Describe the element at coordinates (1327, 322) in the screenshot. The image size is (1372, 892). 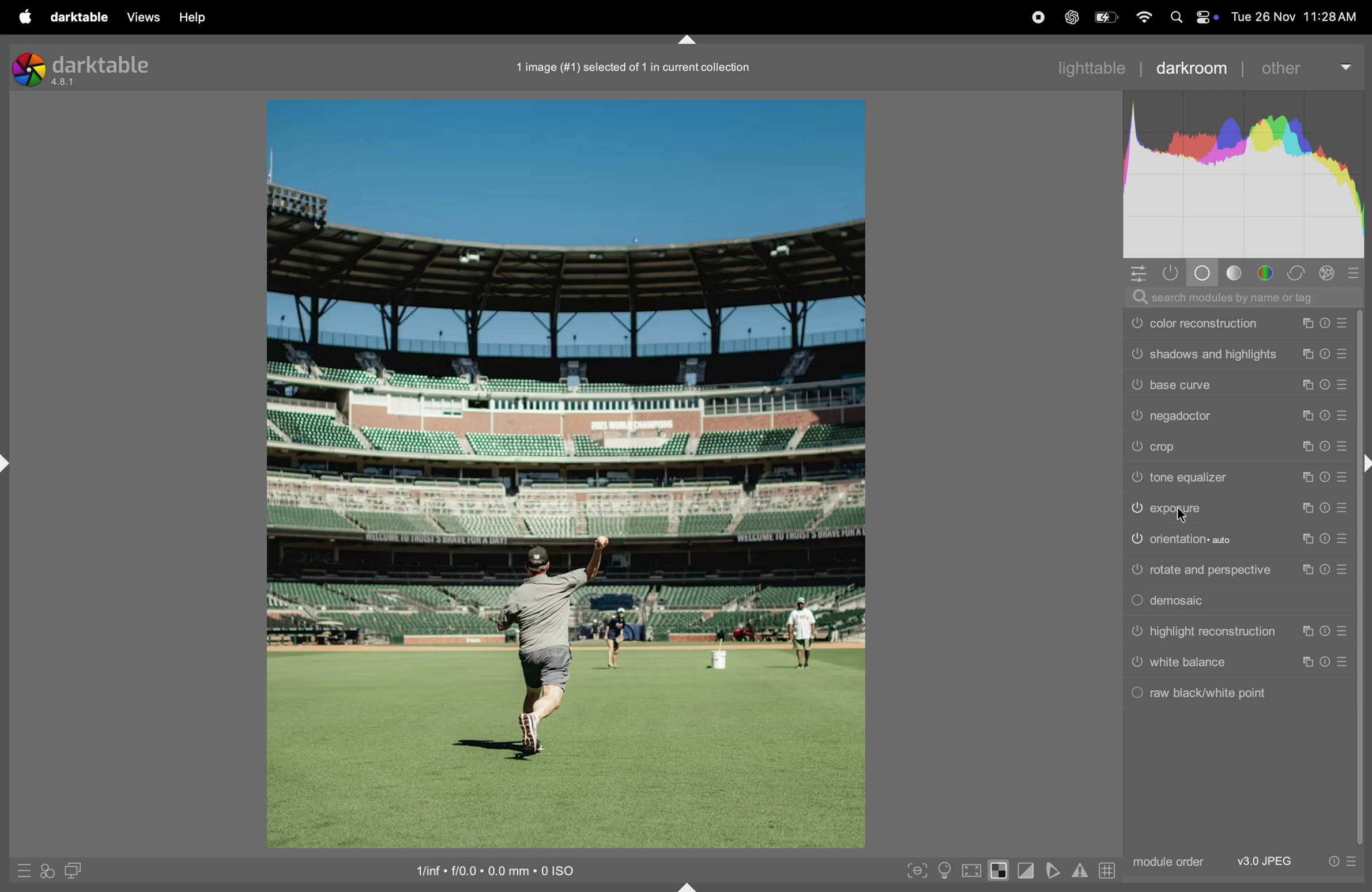
I see `reset presets` at that location.